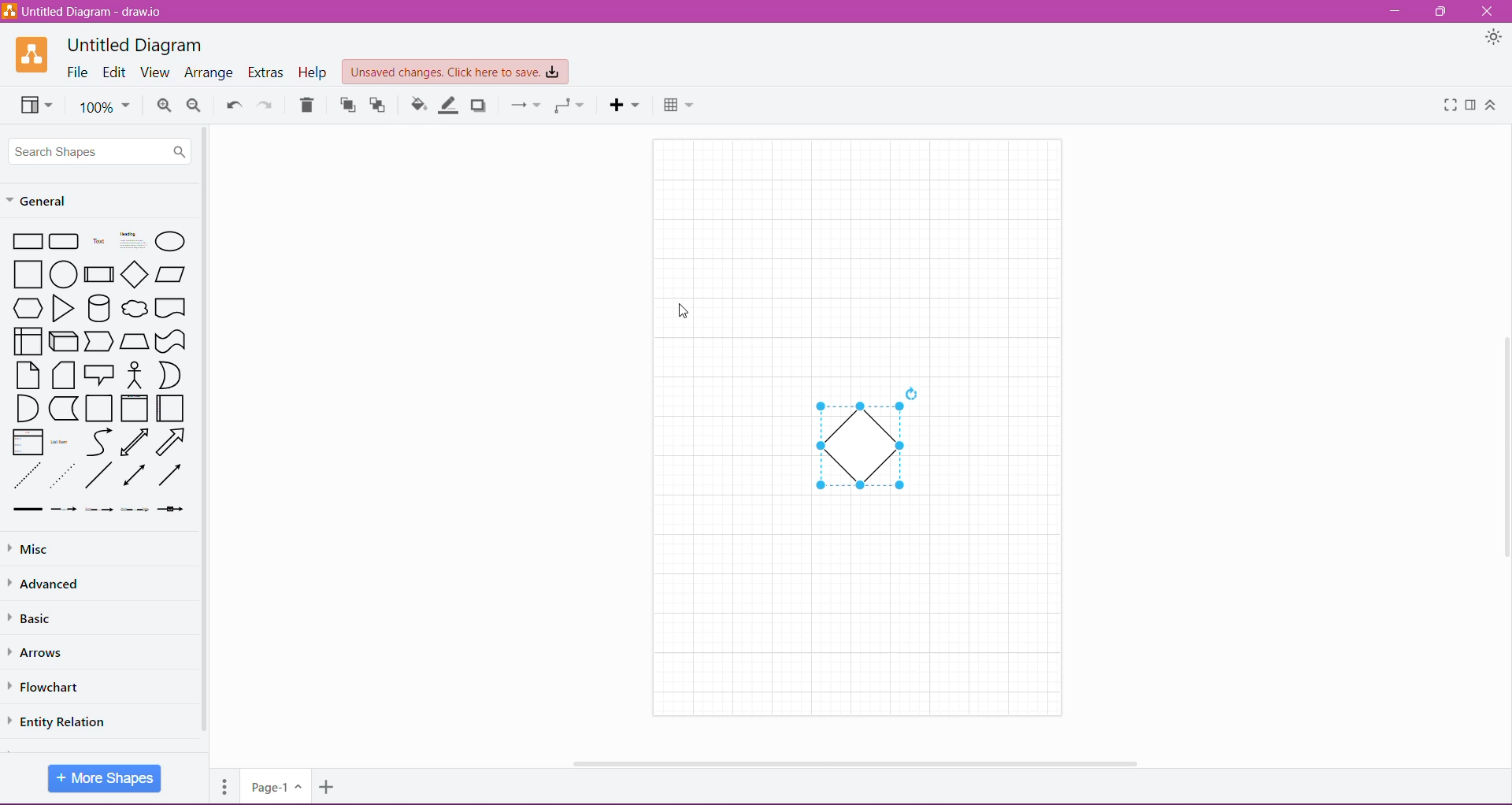  Describe the element at coordinates (313, 73) in the screenshot. I see `Help` at that location.